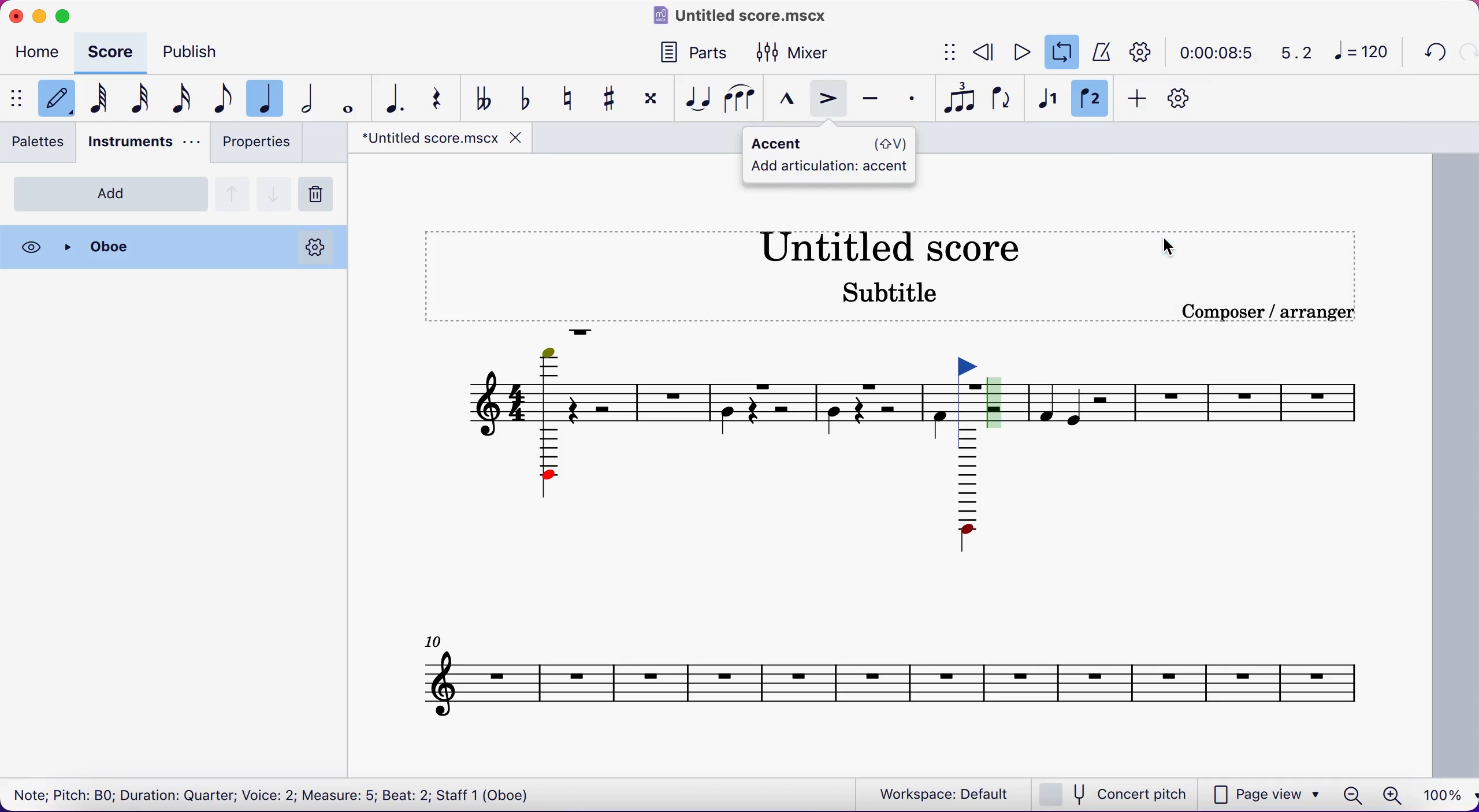 The image size is (1479, 812). Describe the element at coordinates (1184, 98) in the screenshot. I see `customize toolbar` at that location.